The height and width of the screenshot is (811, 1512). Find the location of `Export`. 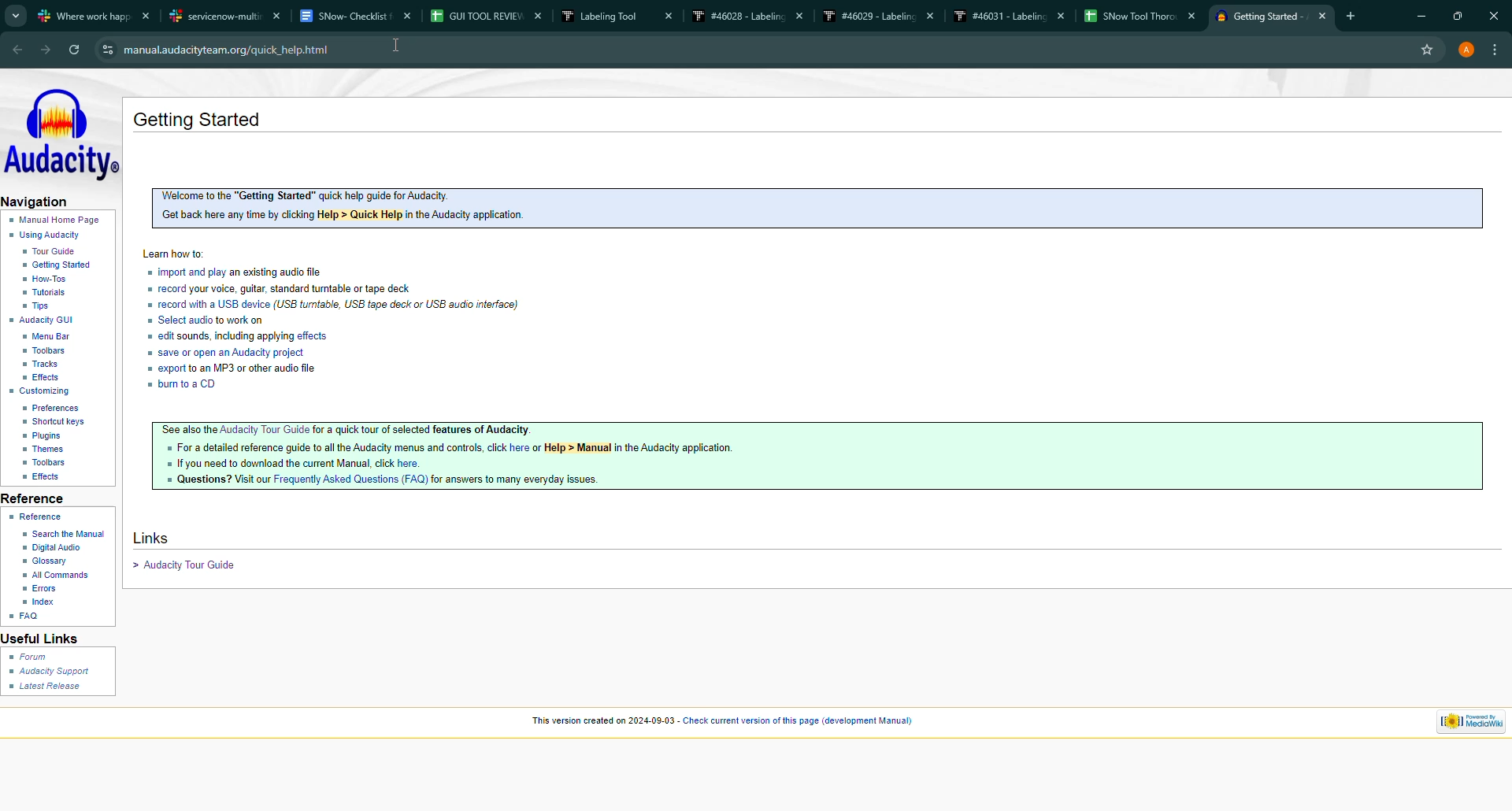

Export is located at coordinates (167, 368).